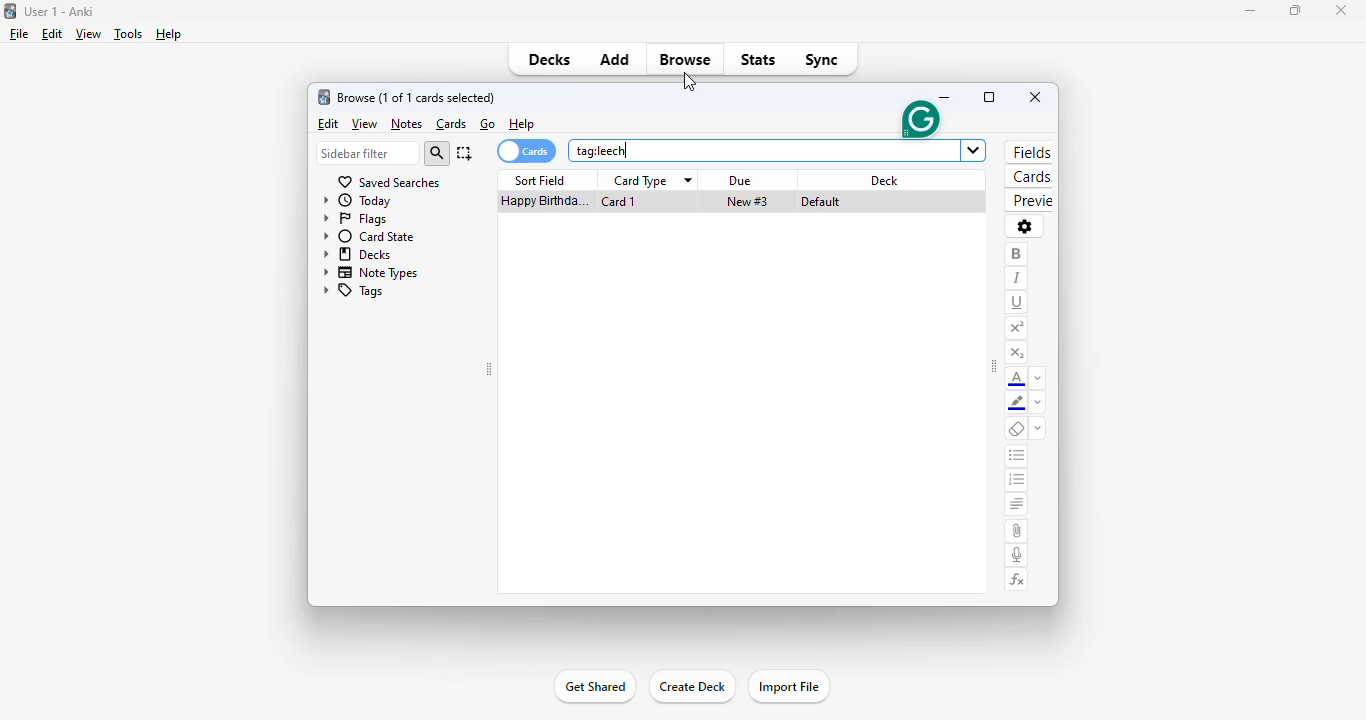 The width and height of the screenshot is (1366, 720). Describe the element at coordinates (354, 220) in the screenshot. I see `flags` at that location.